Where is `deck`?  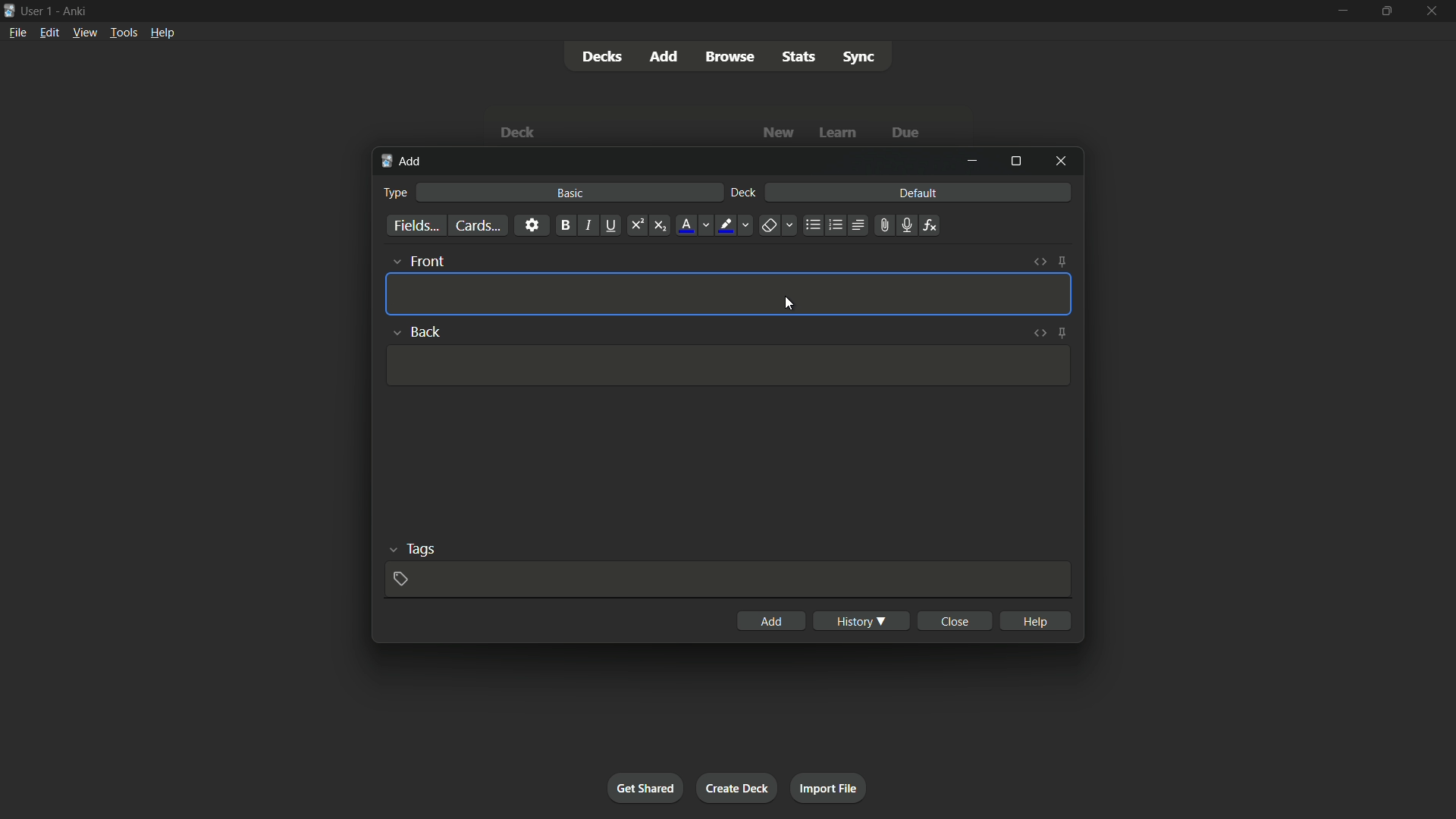 deck is located at coordinates (517, 134).